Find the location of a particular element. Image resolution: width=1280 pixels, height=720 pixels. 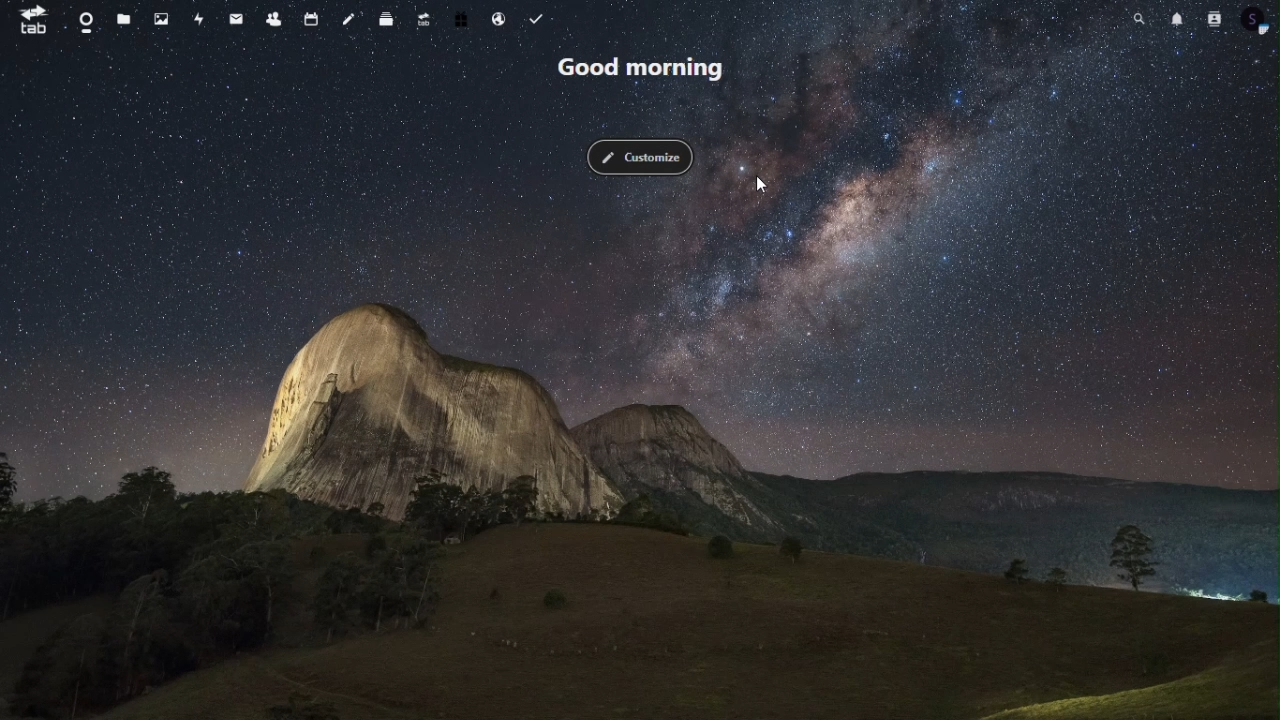

upgrade is located at coordinates (424, 16).